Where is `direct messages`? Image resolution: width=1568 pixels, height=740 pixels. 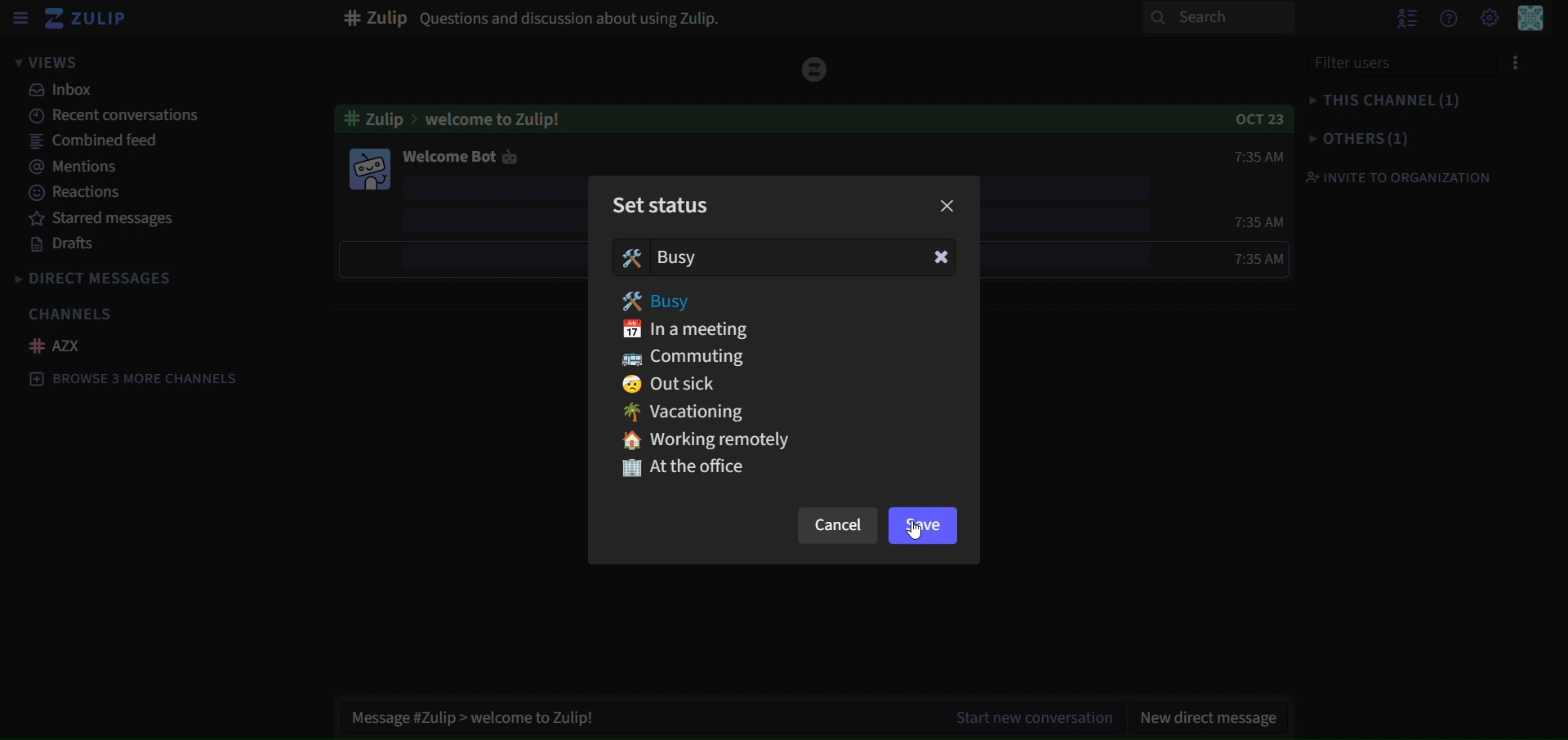
direct messages is located at coordinates (109, 278).